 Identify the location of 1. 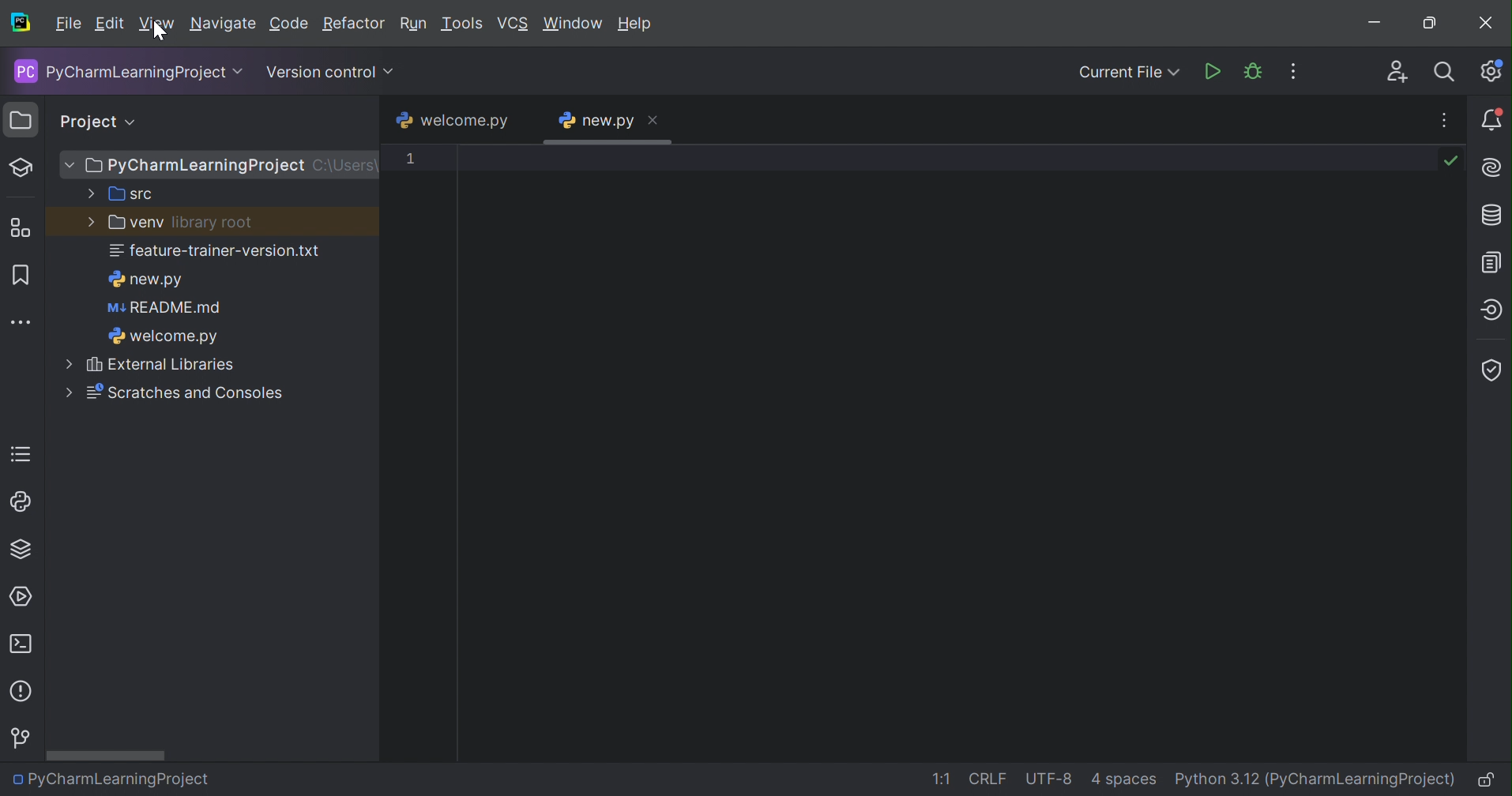
(410, 157).